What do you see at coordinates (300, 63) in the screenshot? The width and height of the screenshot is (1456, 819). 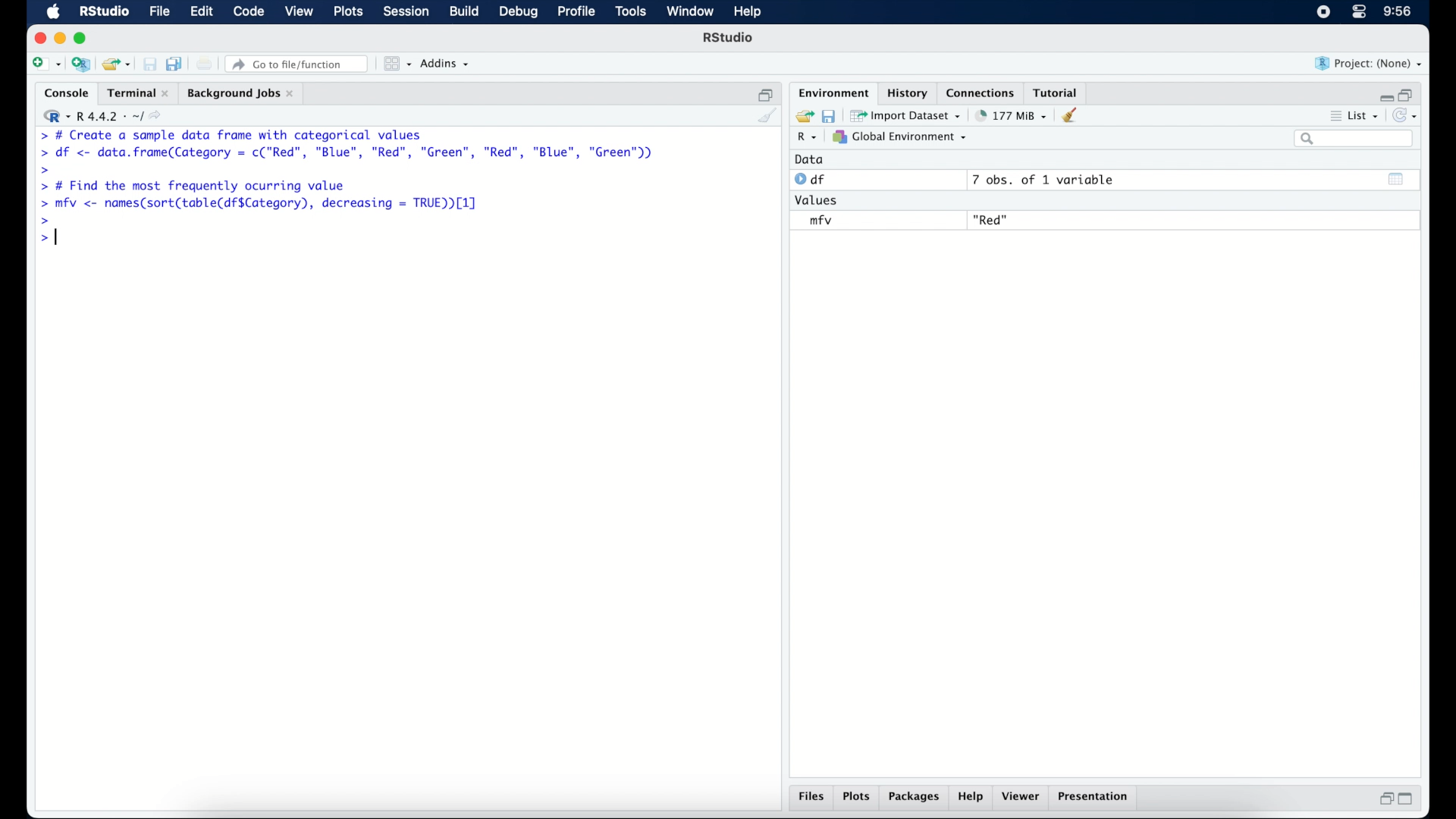 I see `Go to file/ function` at bounding box center [300, 63].